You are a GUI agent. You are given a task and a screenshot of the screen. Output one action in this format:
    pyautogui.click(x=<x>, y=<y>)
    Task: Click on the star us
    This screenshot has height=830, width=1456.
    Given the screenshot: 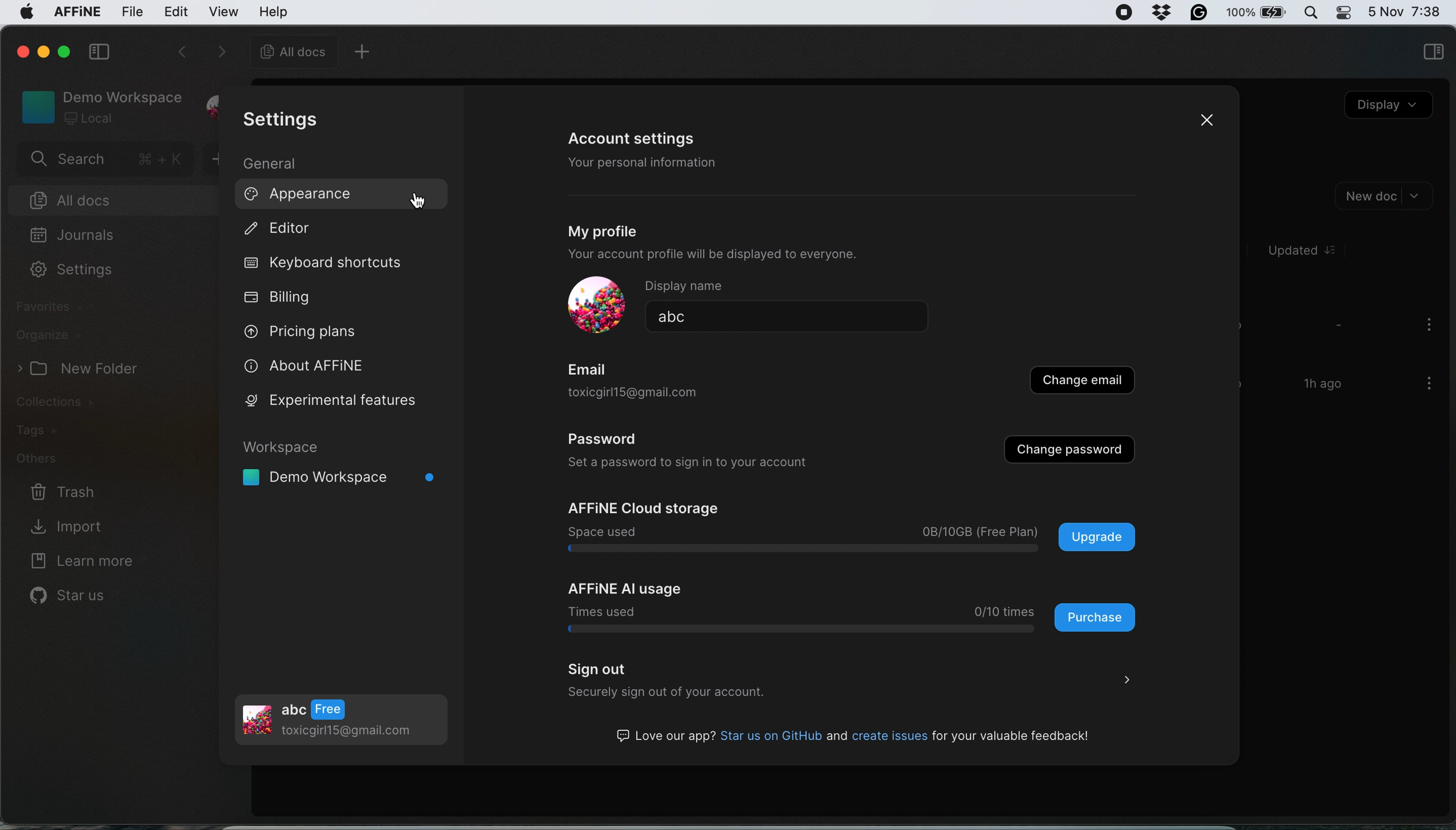 What is the action you would take?
    pyautogui.click(x=70, y=599)
    